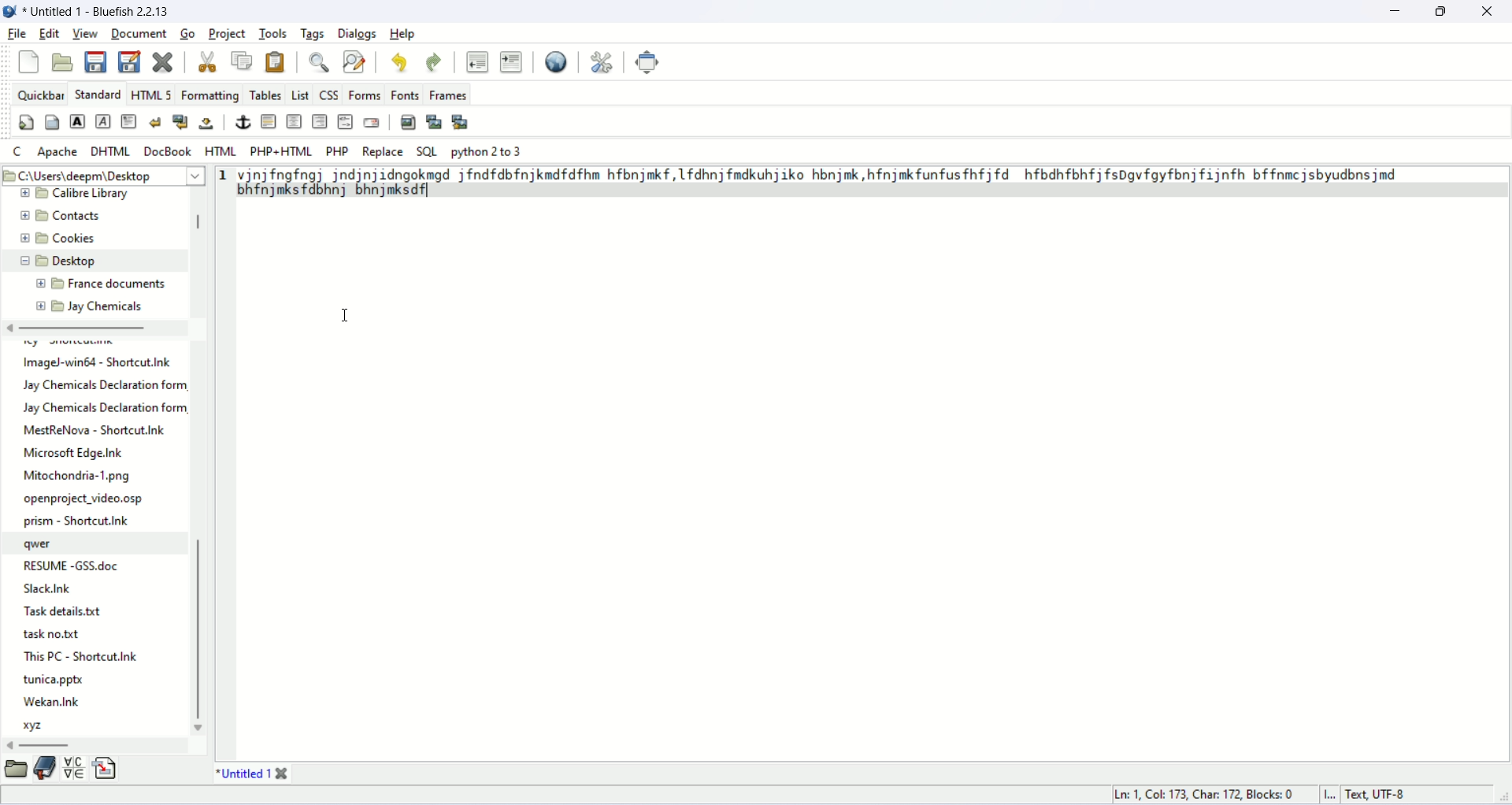 The width and height of the screenshot is (1512, 805). What do you see at coordinates (80, 477) in the screenshot?
I see `Mitochondria-1.png` at bounding box center [80, 477].